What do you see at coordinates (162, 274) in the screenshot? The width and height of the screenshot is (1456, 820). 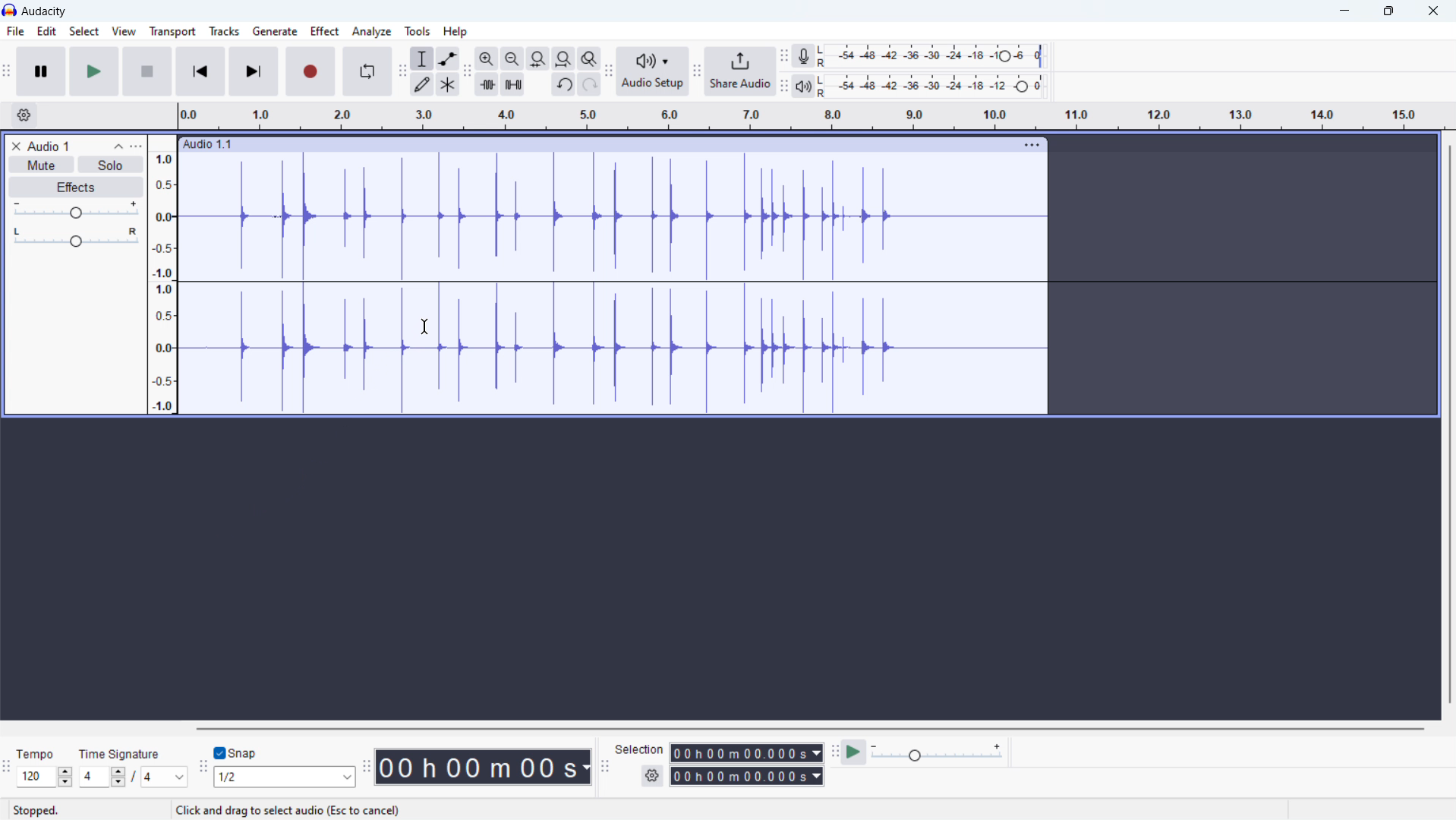 I see `amplitude` at bounding box center [162, 274].